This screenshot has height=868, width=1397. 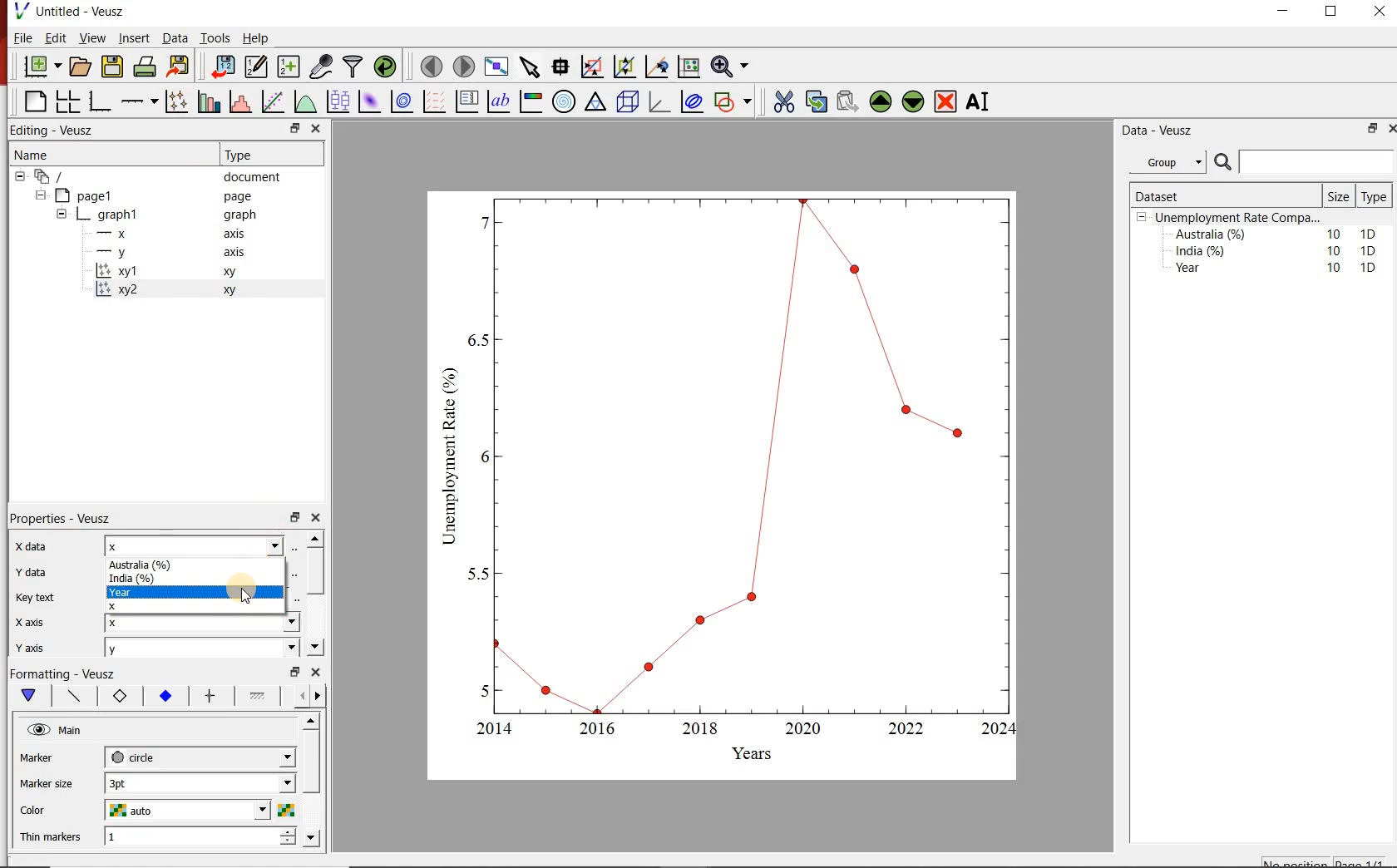 I want to click on more left, so click(x=299, y=695).